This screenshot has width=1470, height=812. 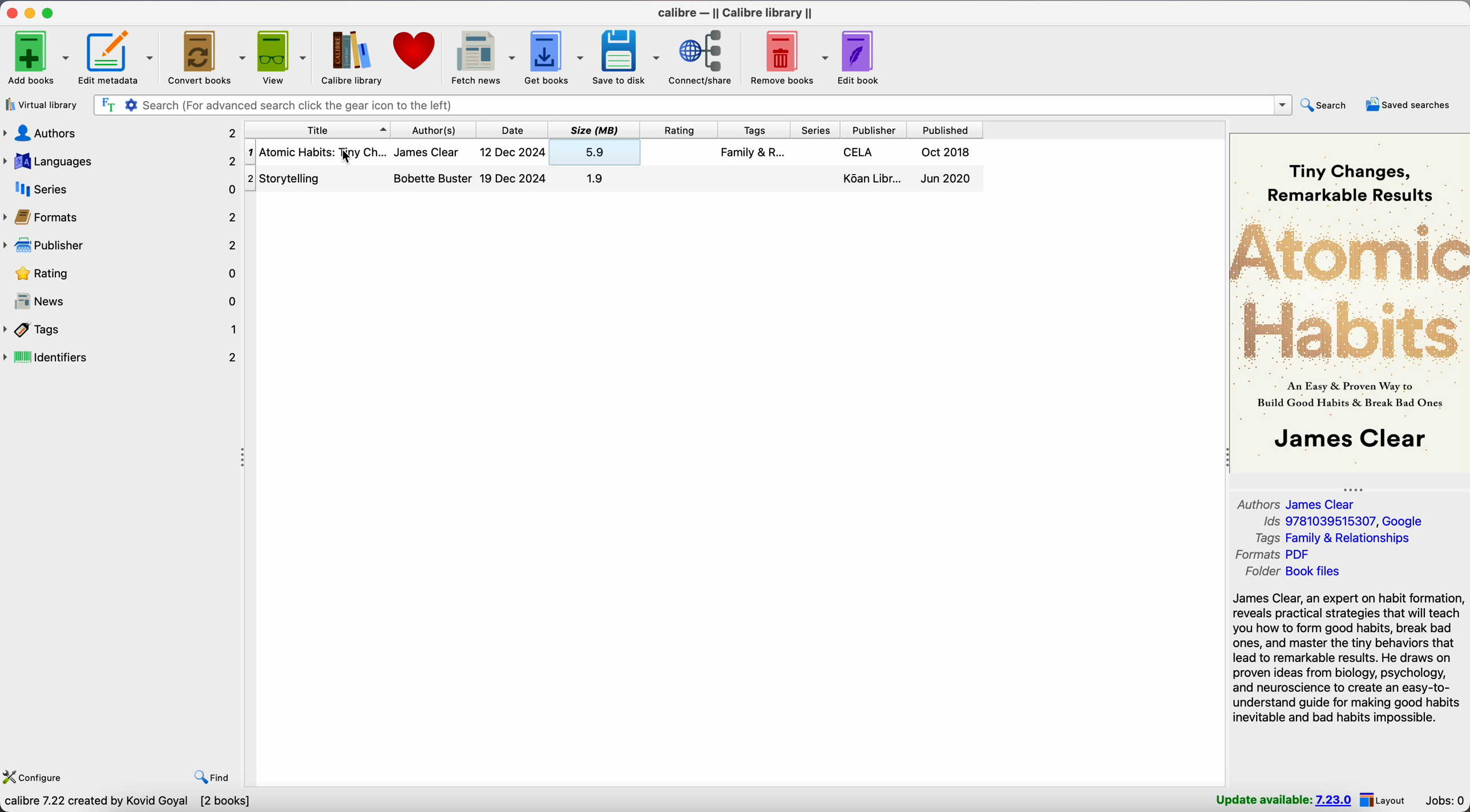 I want to click on virtual library, so click(x=41, y=104).